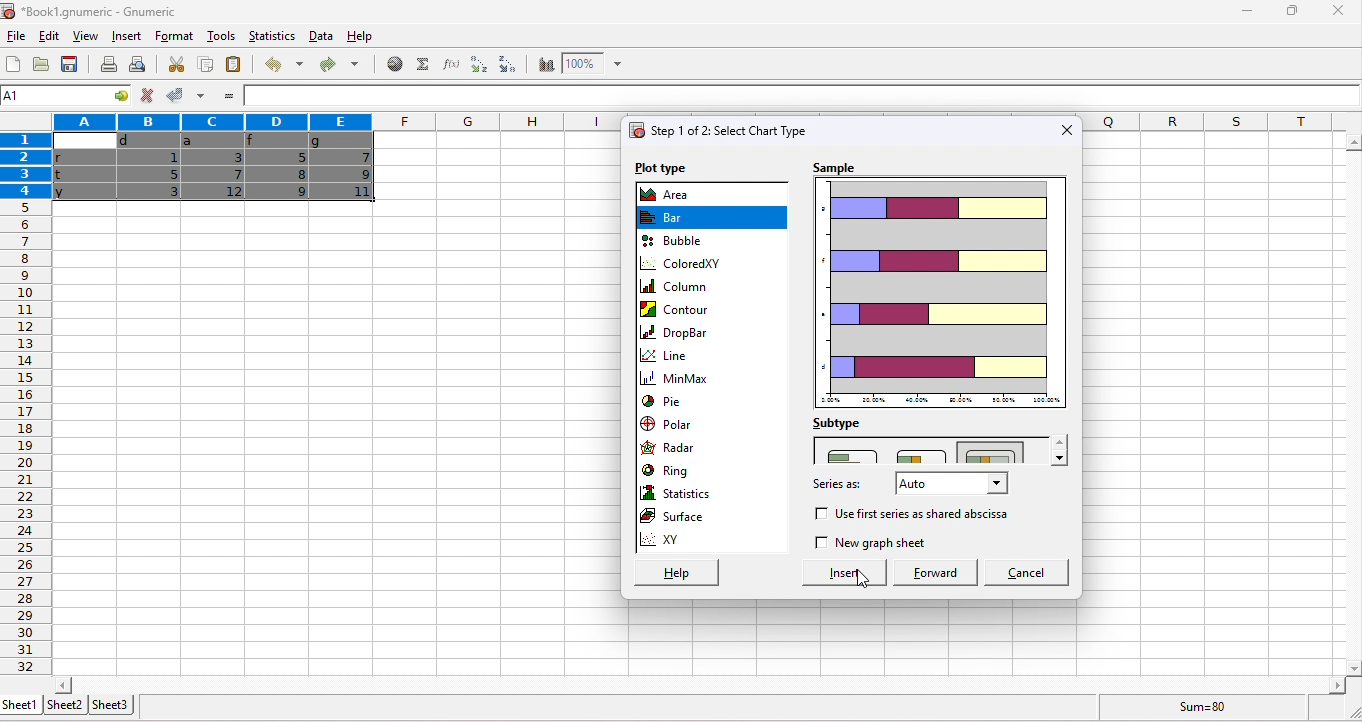 The image size is (1362, 722). I want to click on open, so click(43, 65).